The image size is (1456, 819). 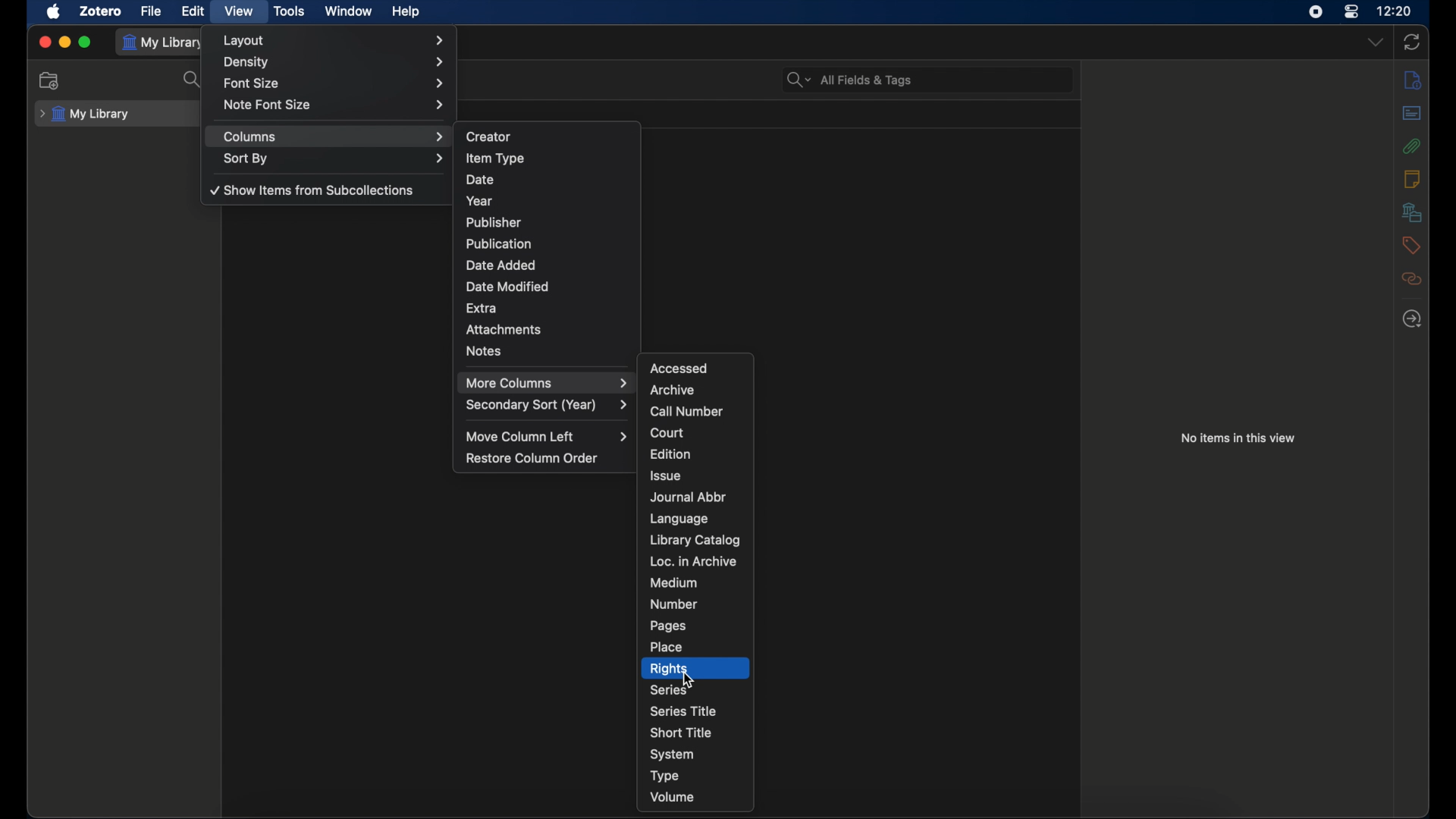 I want to click on date modified, so click(x=509, y=287).